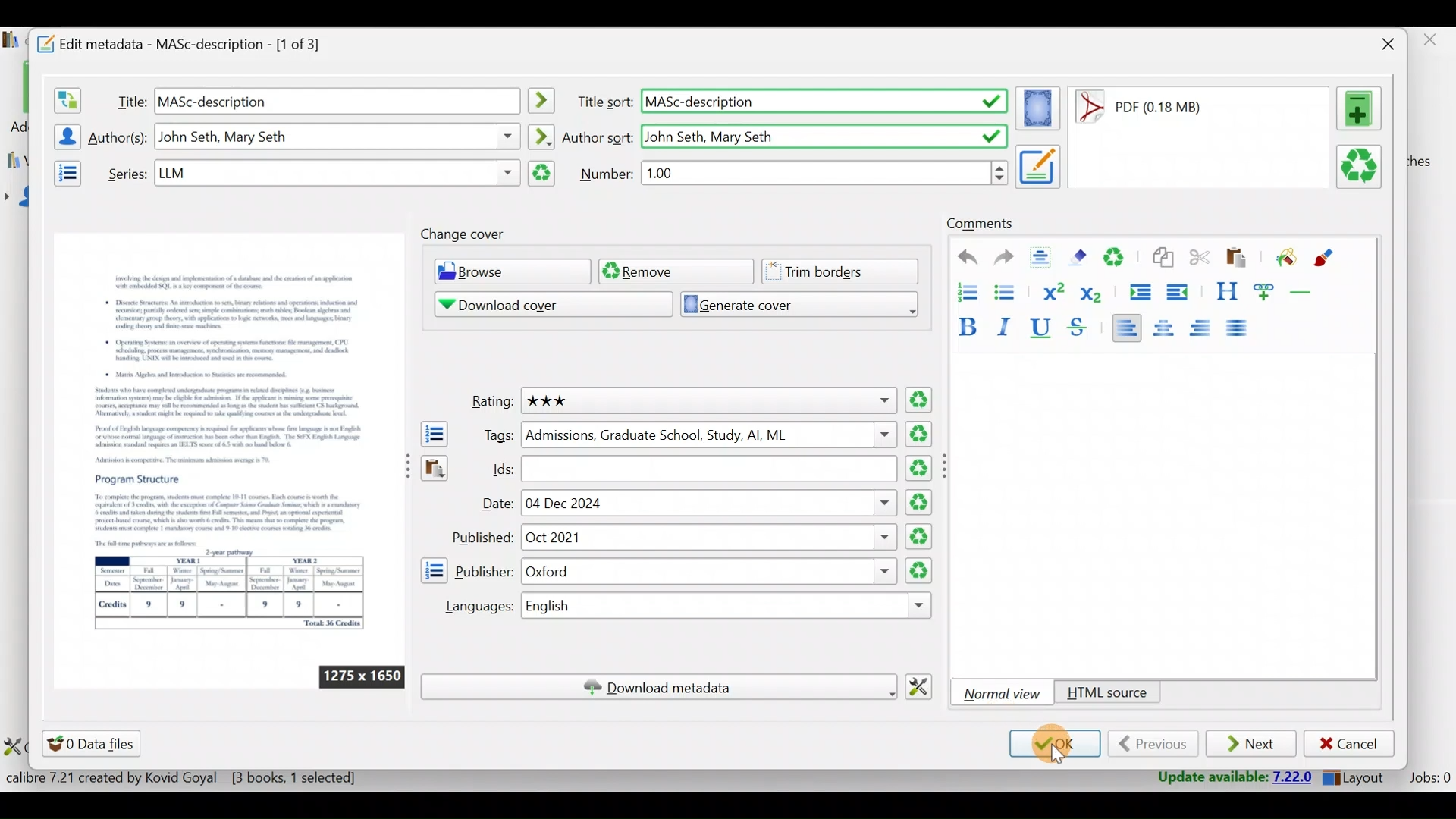  What do you see at coordinates (948, 466) in the screenshot?
I see `` at bounding box center [948, 466].